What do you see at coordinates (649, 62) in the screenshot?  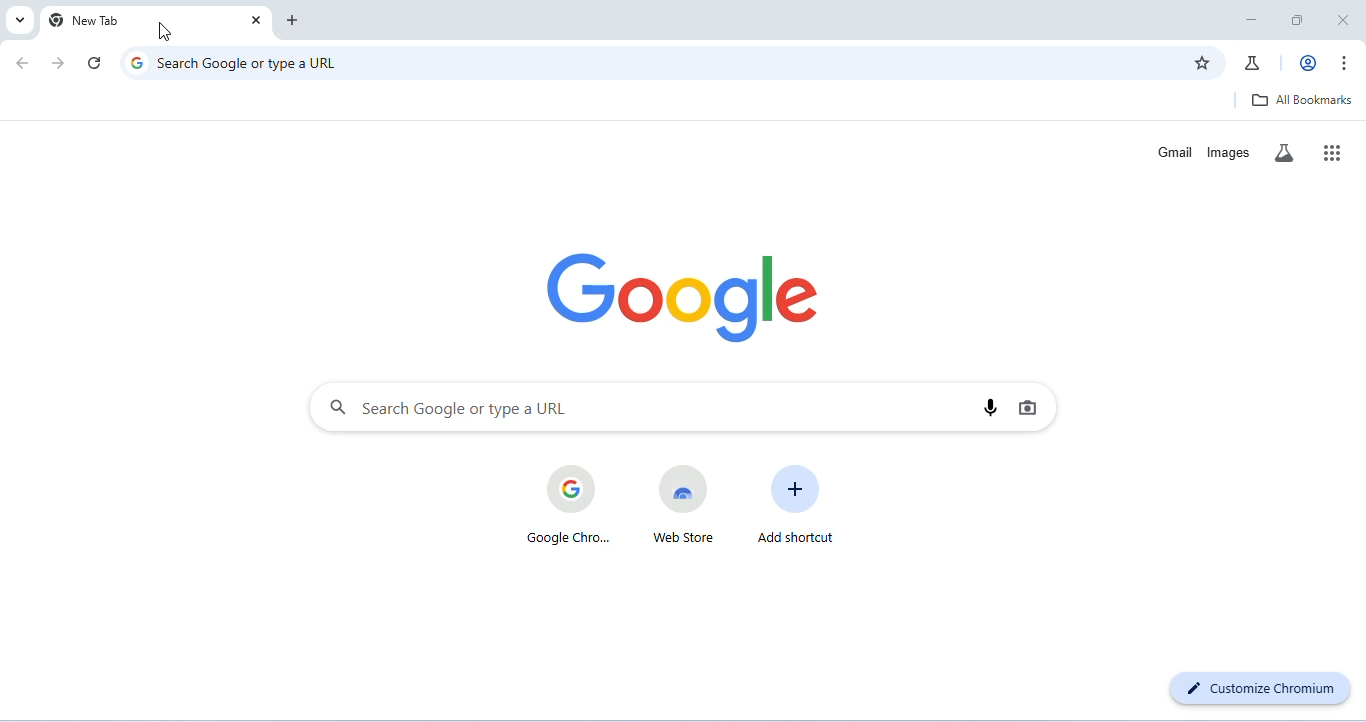 I see `search google or type a URL` at bounding box center [649, 62].